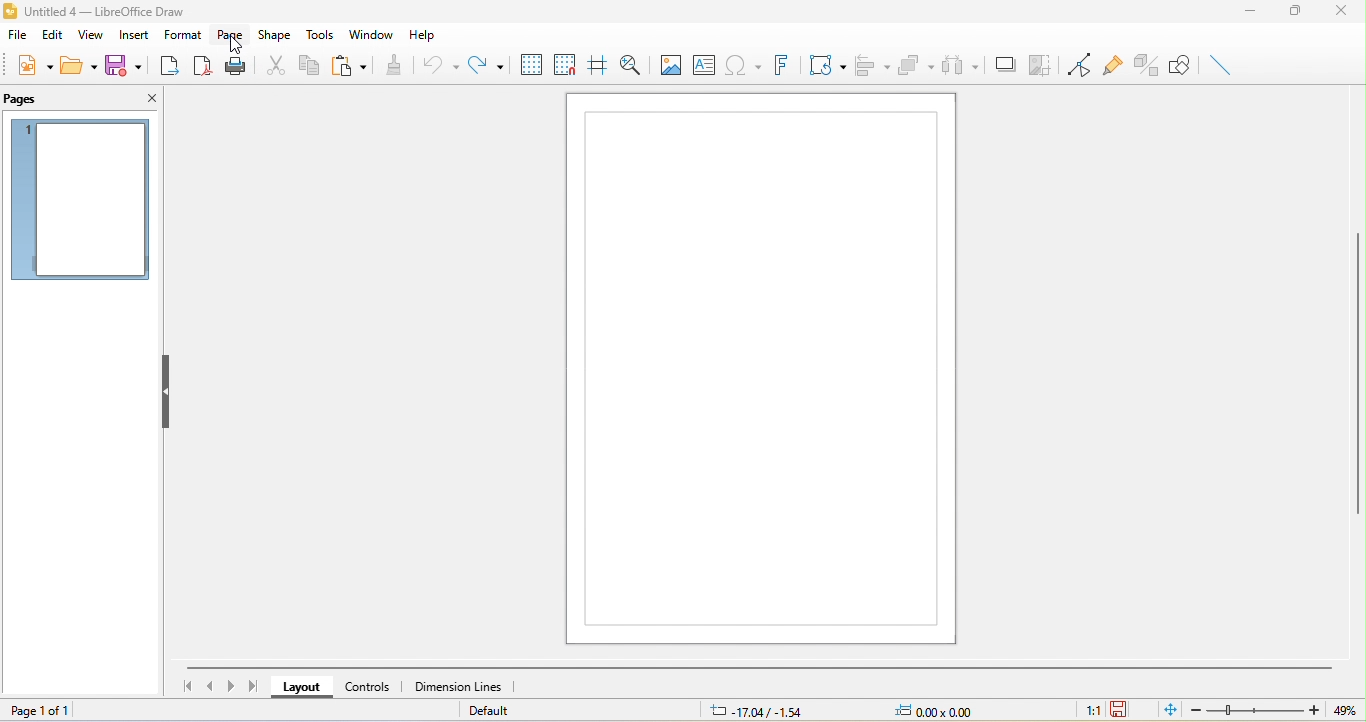 This screenshot has height=722, width=1366. I want to click on previous page, so click(206, 686).